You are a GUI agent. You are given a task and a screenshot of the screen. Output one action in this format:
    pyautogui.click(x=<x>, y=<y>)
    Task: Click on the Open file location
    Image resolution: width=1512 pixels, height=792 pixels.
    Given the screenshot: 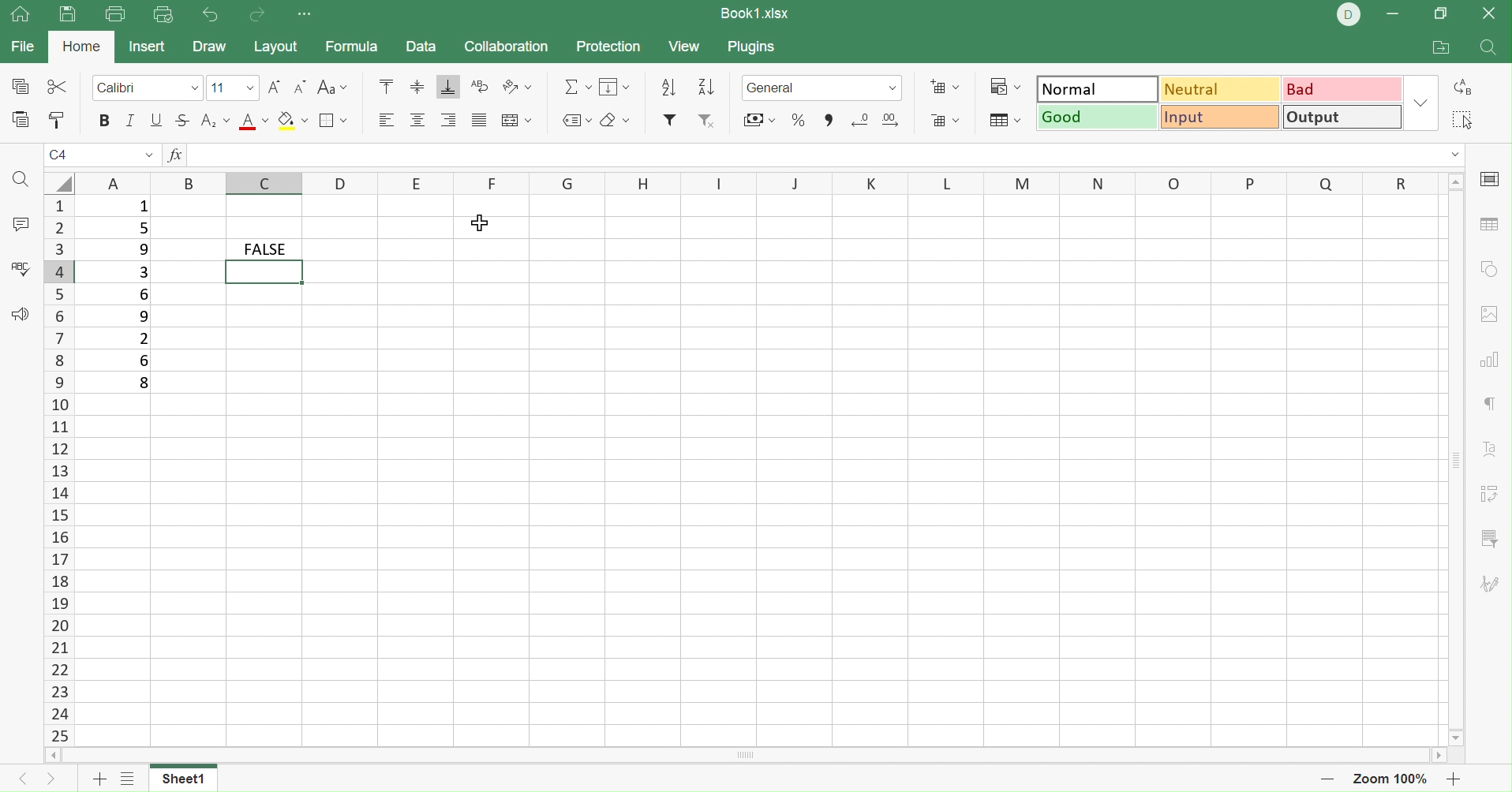 What is the action you would take?
    pyautogui.click(x=1441, y=49)
    